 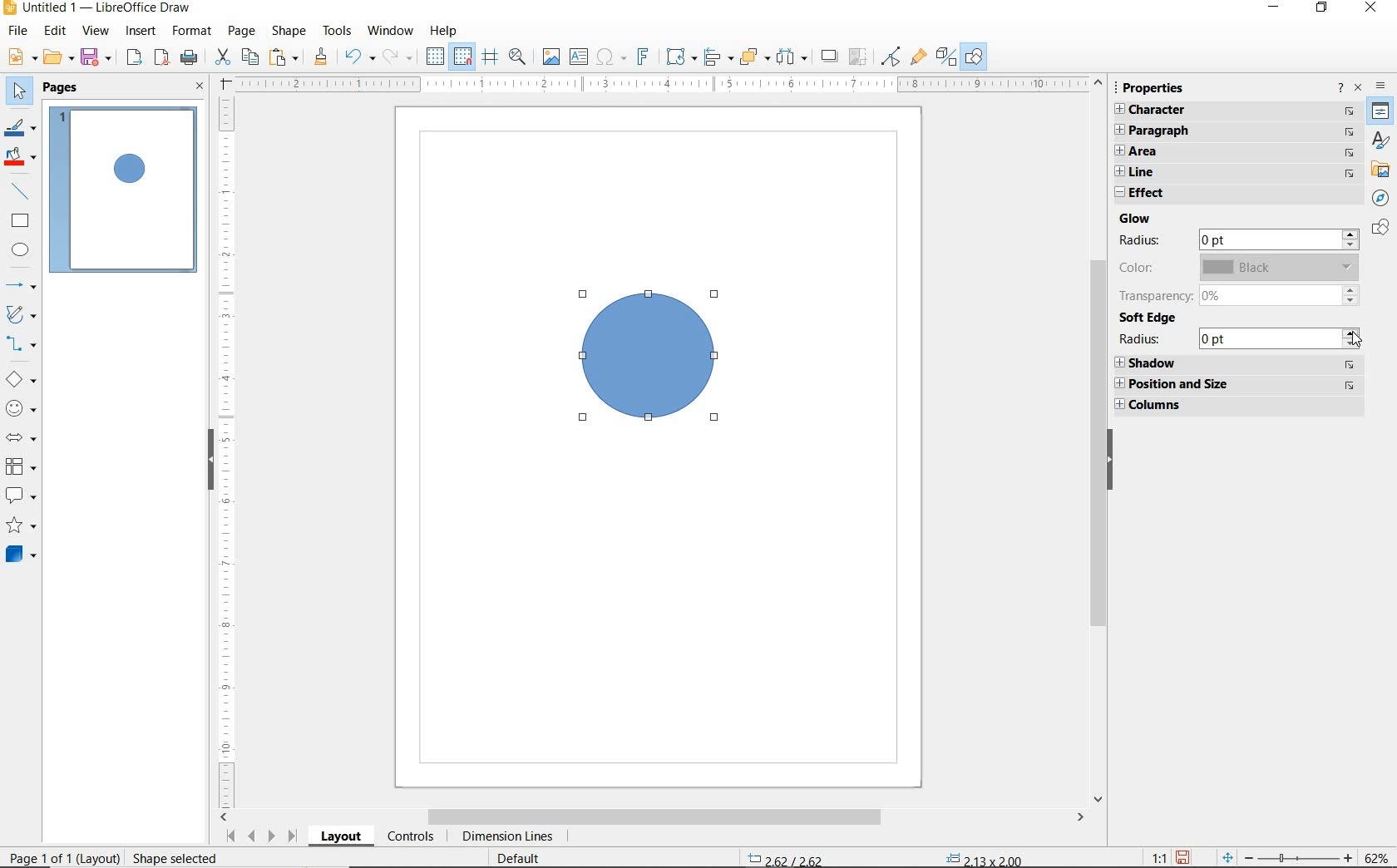 I want to click on CUT, so click(x=222, y=57).